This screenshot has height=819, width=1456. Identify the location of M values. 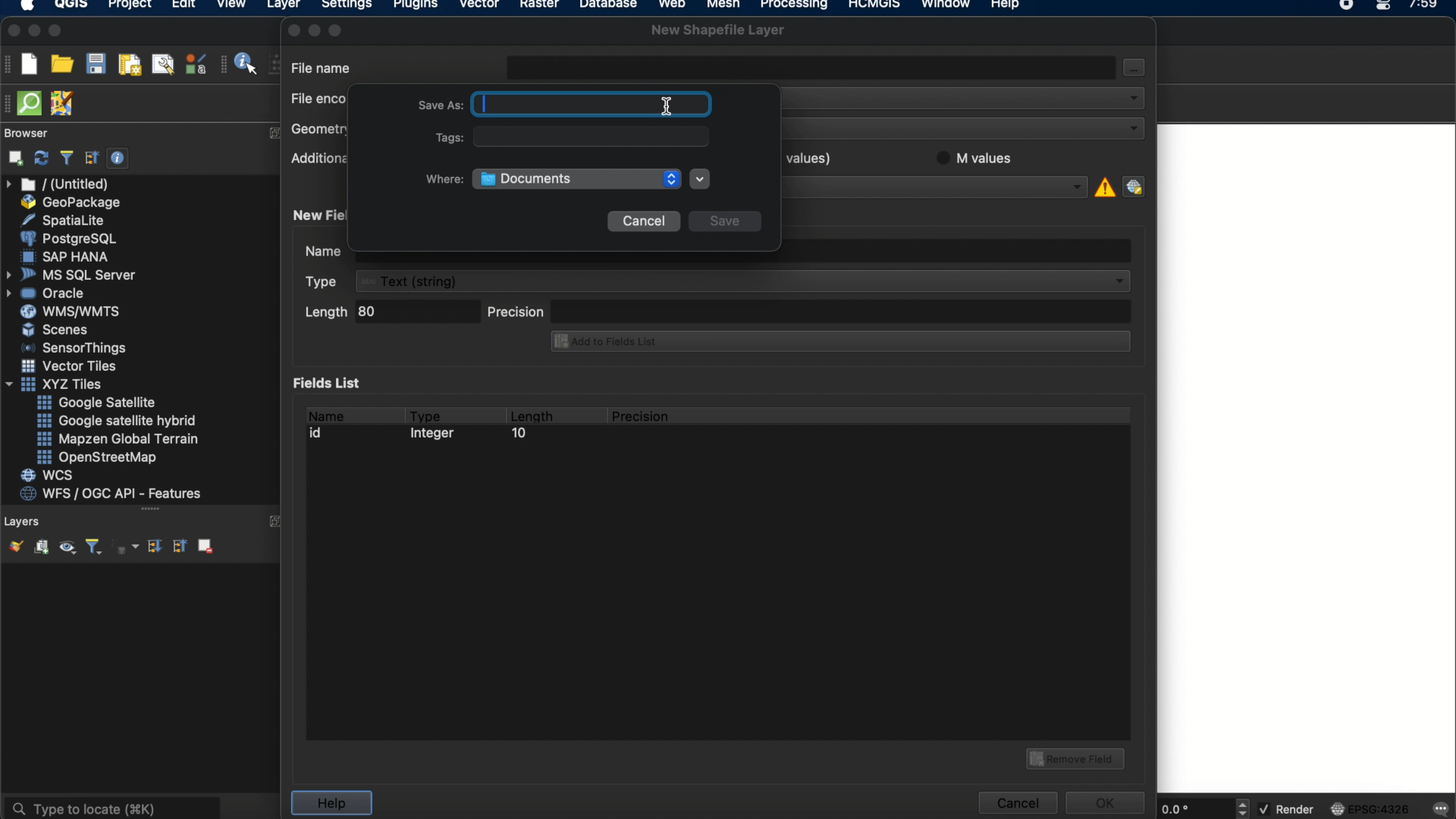
(982, 157).